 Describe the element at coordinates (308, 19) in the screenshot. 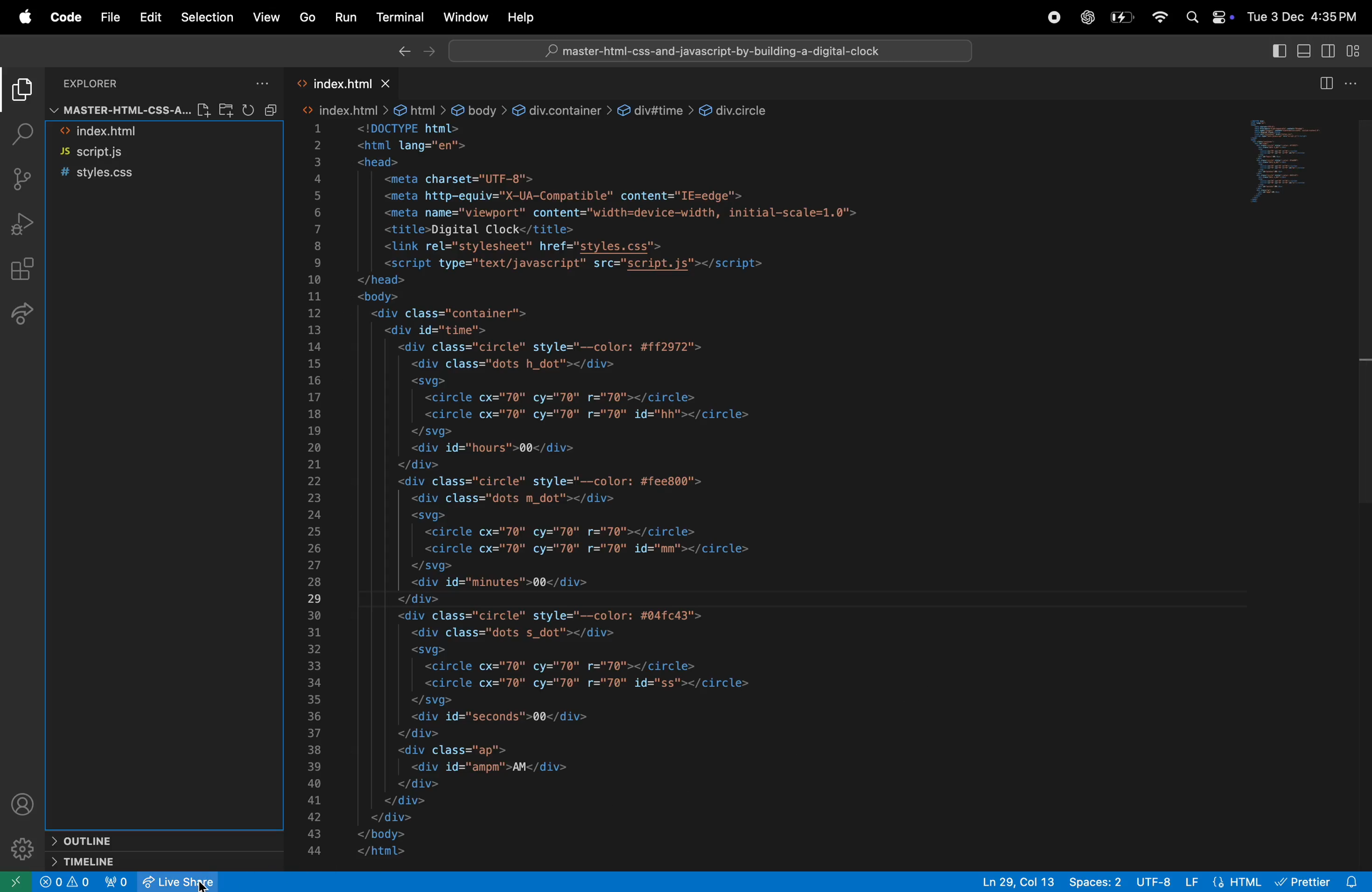

I see `go` at that location.